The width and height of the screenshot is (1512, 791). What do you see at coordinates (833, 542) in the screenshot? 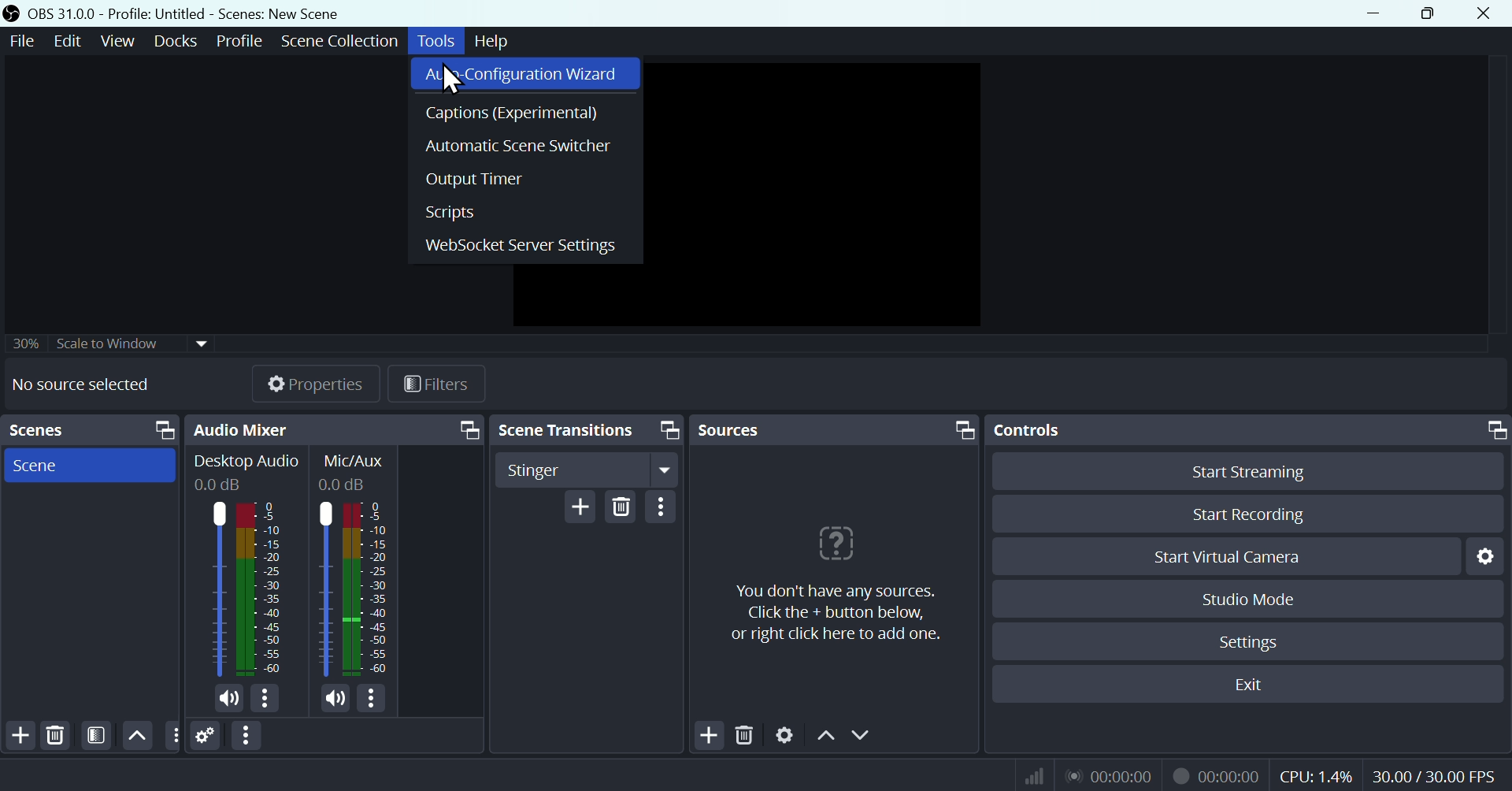
I see `icon` at bounding box center [833, 542].